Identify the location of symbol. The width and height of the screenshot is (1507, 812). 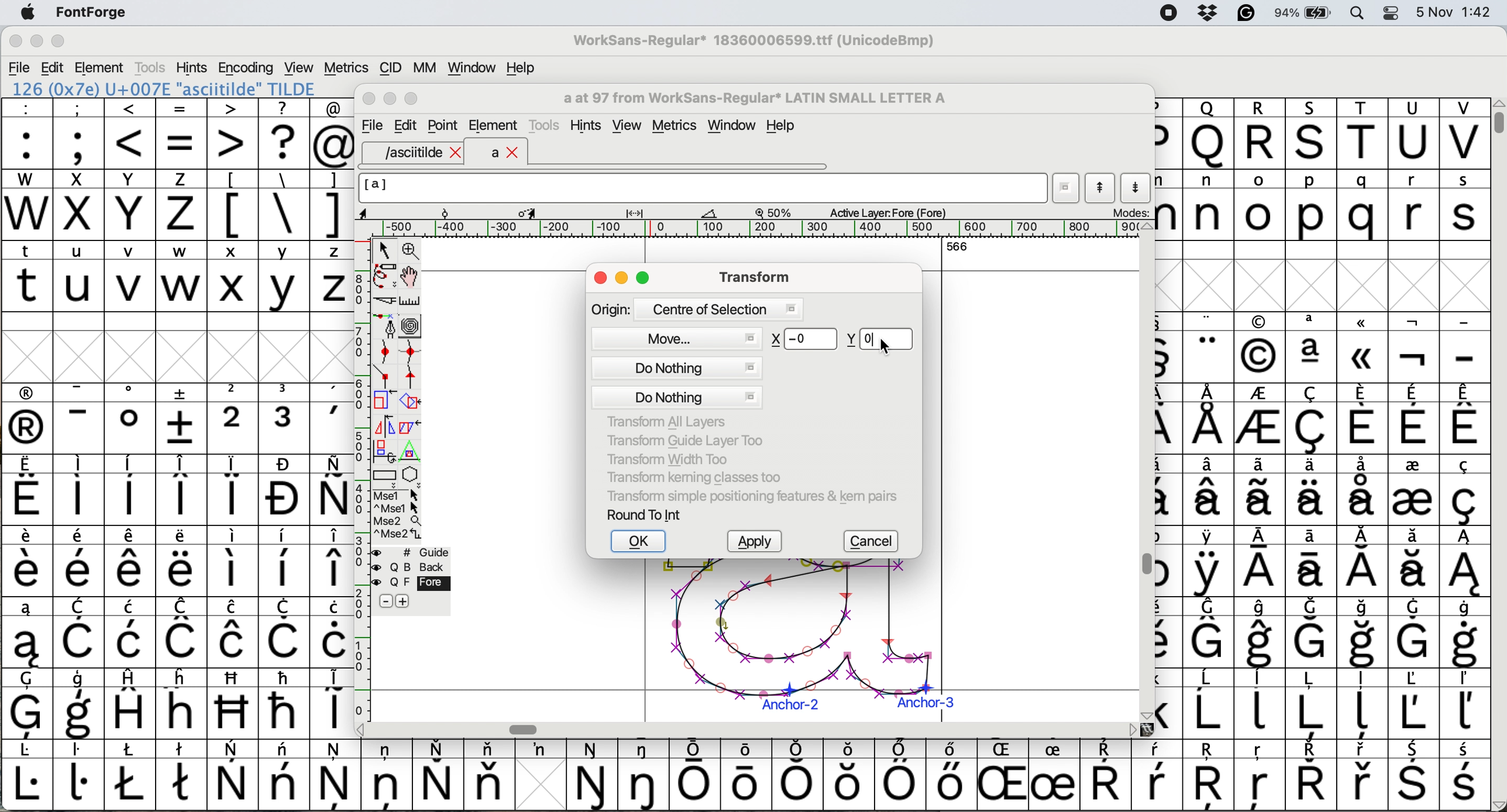
(332, 419).